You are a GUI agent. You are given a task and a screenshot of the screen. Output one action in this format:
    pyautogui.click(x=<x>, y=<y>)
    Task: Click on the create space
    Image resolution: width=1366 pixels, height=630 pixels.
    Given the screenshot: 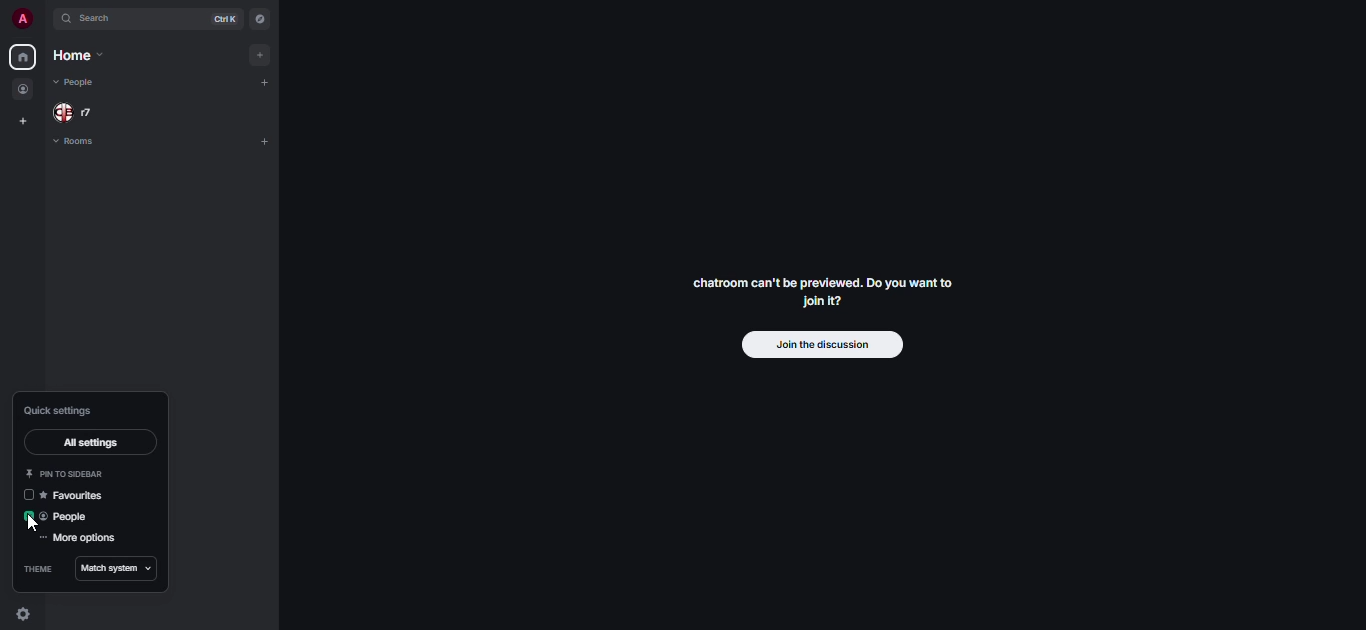 What is the action you would take?
    pyautogui.click(x=23, y=122)
    